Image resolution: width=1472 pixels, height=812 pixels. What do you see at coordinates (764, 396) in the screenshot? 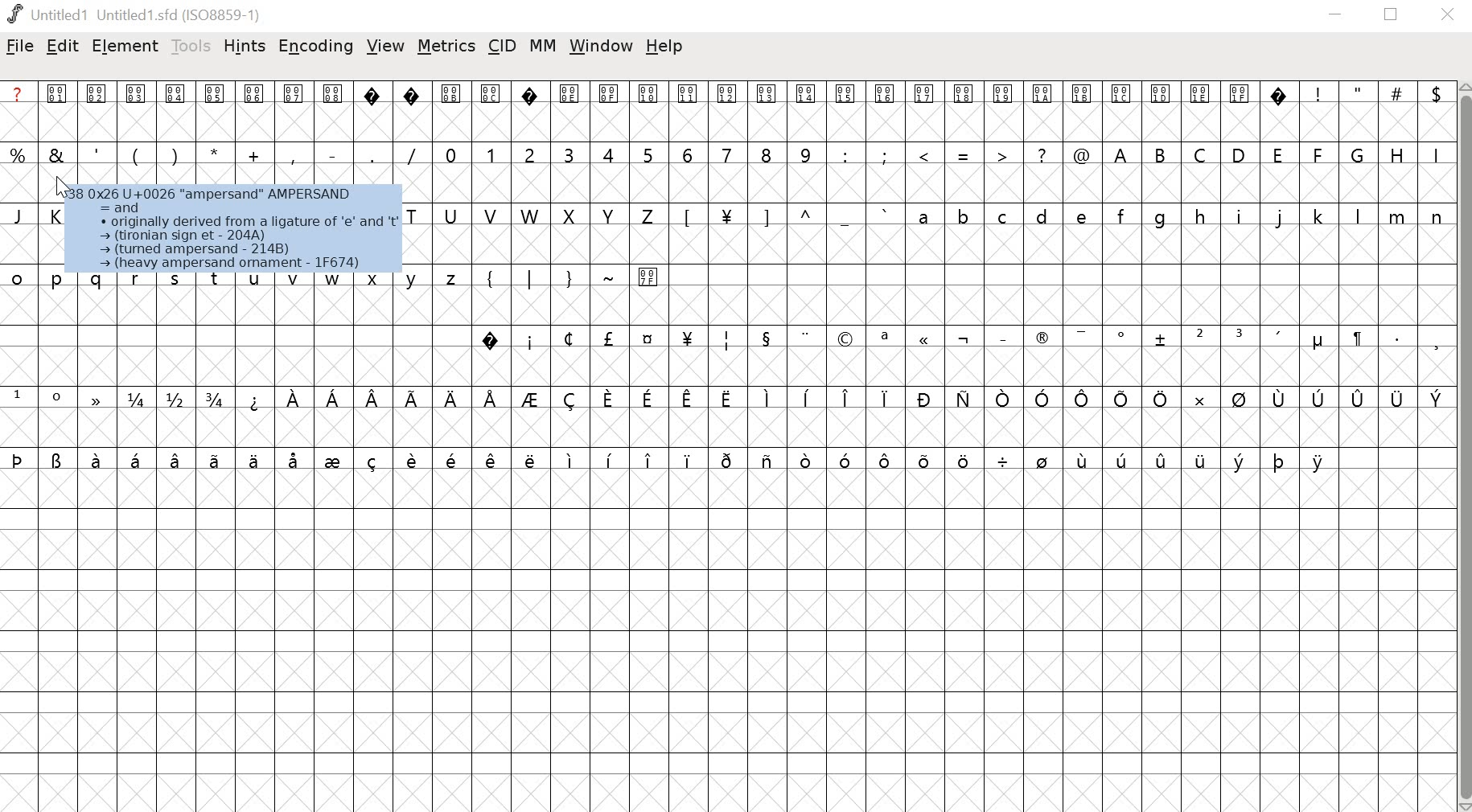
I see `symbol` at bounding box center [764, 396].